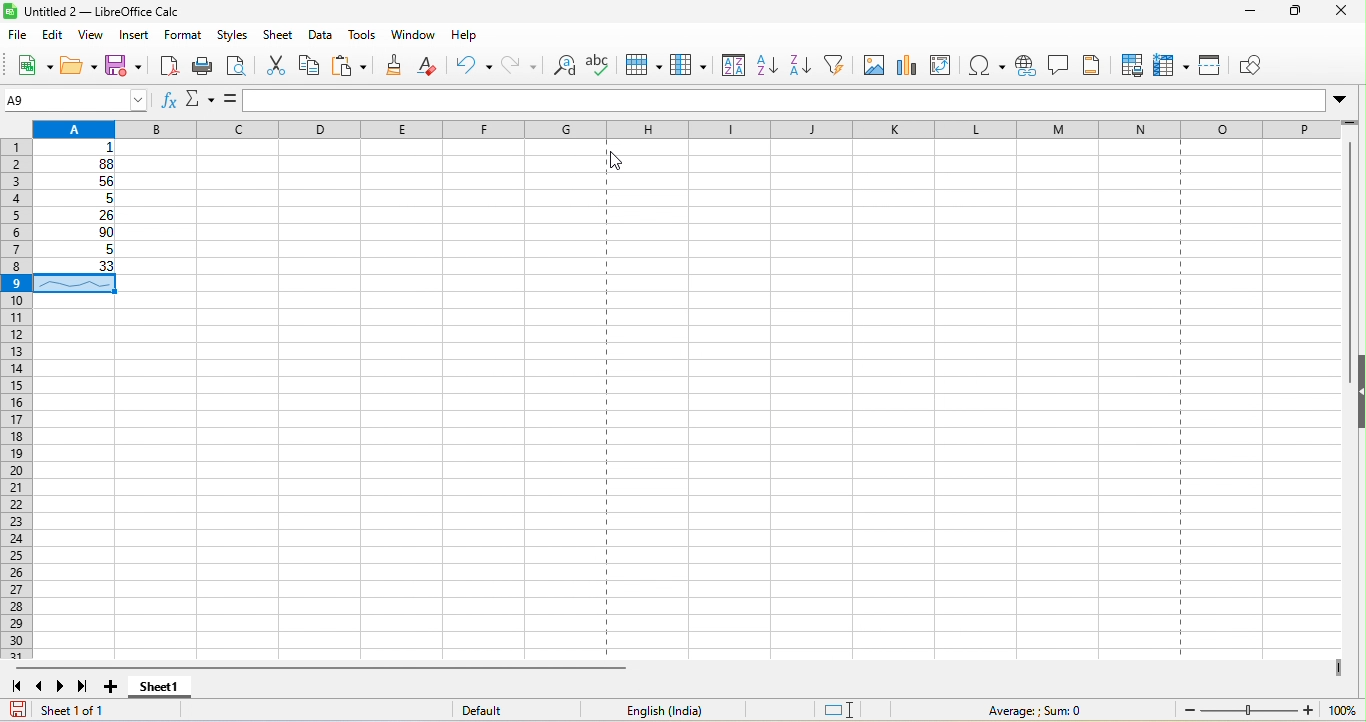  What do you see at coordinates (76, 252) in the screenshot?
I see `5` at bounding box center [76, 252].